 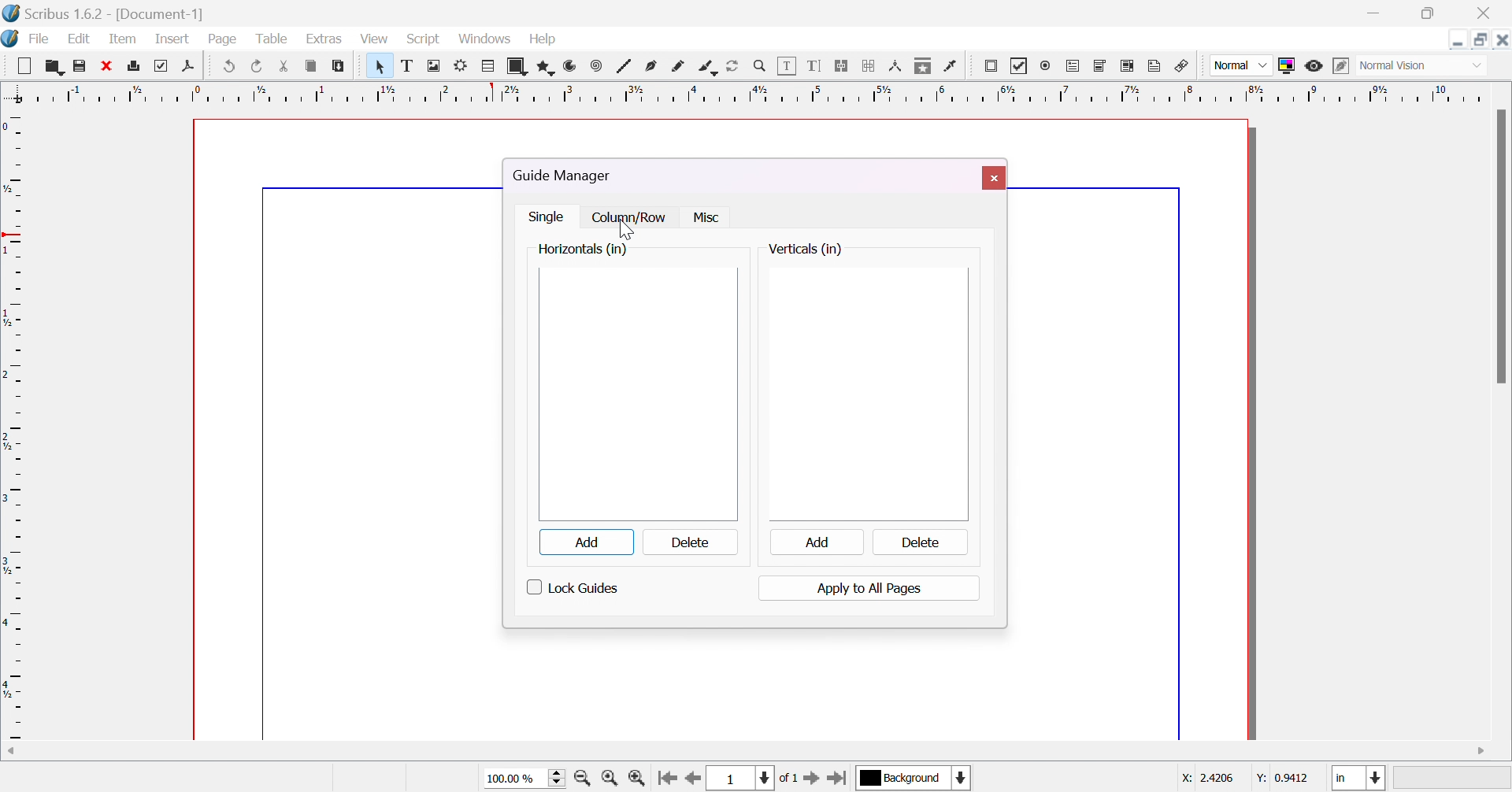 What do you see at coordinates (108, 65) in the screenshot?
I see `close` at bounding box center [108, 65].